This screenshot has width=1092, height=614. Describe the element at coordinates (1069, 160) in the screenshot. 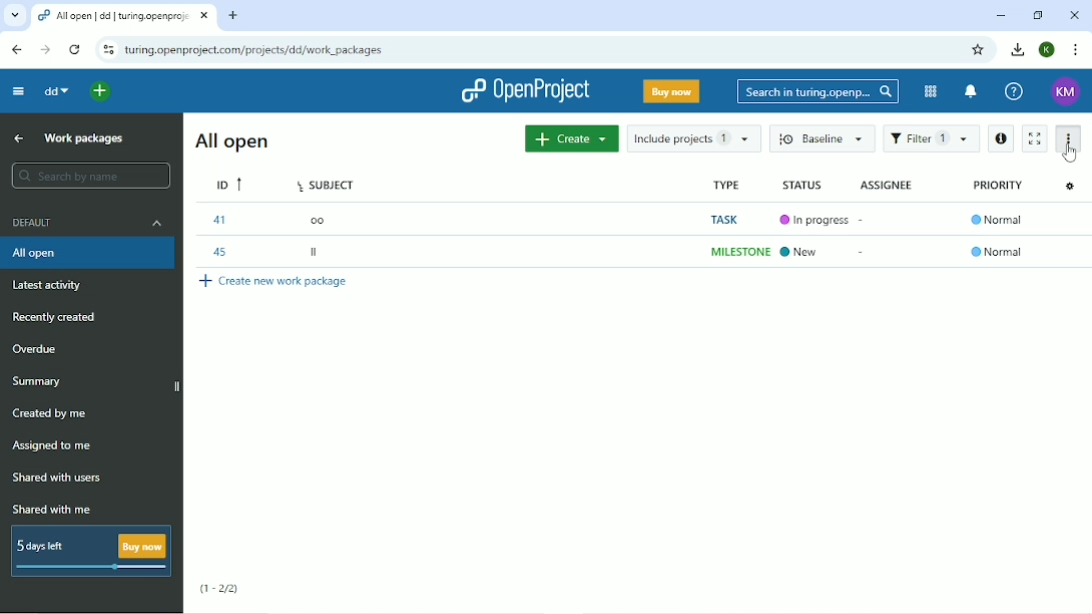

I see `cursor` at that location.